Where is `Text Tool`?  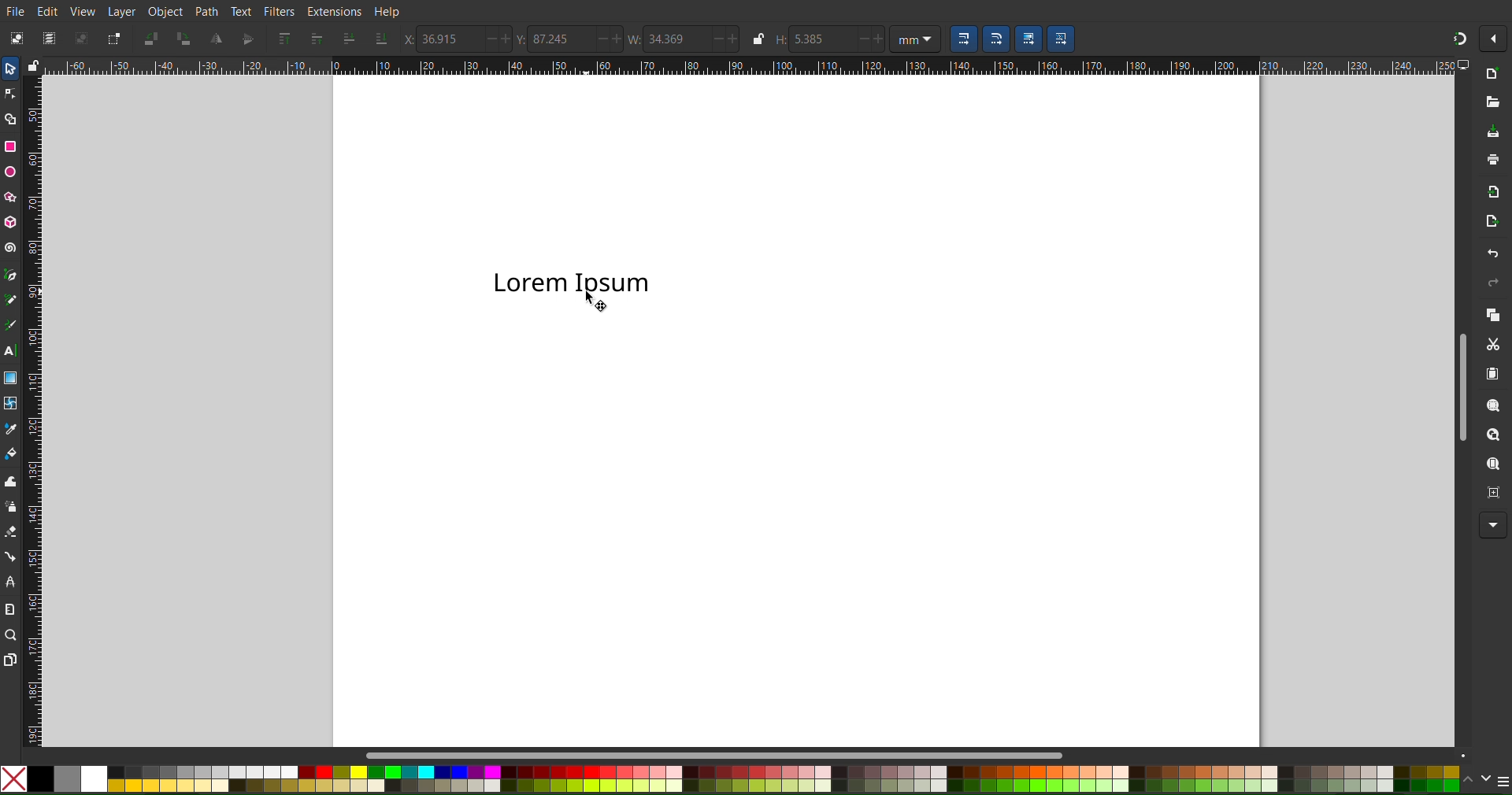
Text Tool is located at coordinates (11, 349).